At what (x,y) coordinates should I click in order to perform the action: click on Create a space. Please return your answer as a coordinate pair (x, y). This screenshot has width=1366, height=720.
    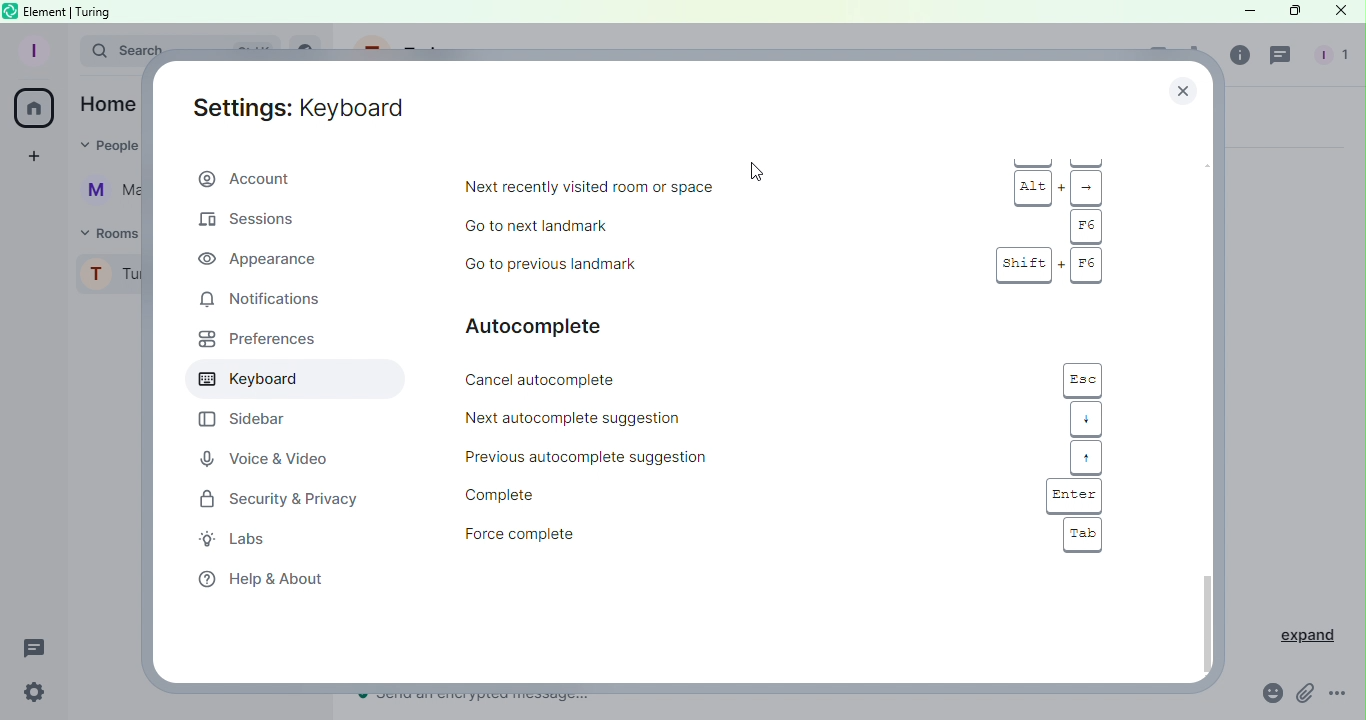
    Looking at the image, I should click on (30, 159).